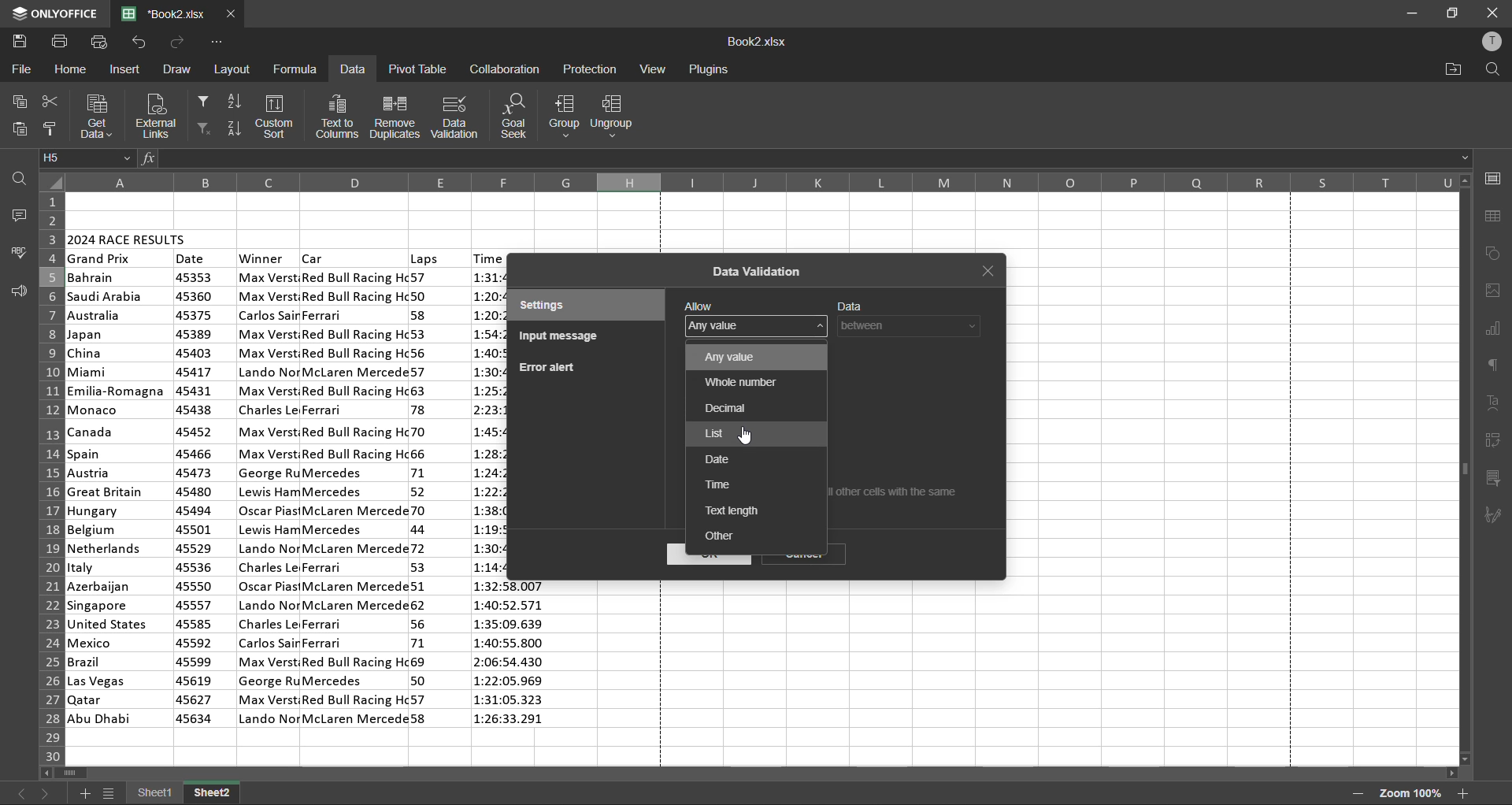 This screenshot has height=805, width=1512. What do you see at coordinates (617, 117) in the screenshot?
I see `ungroup` at bounding box center [617, 117].